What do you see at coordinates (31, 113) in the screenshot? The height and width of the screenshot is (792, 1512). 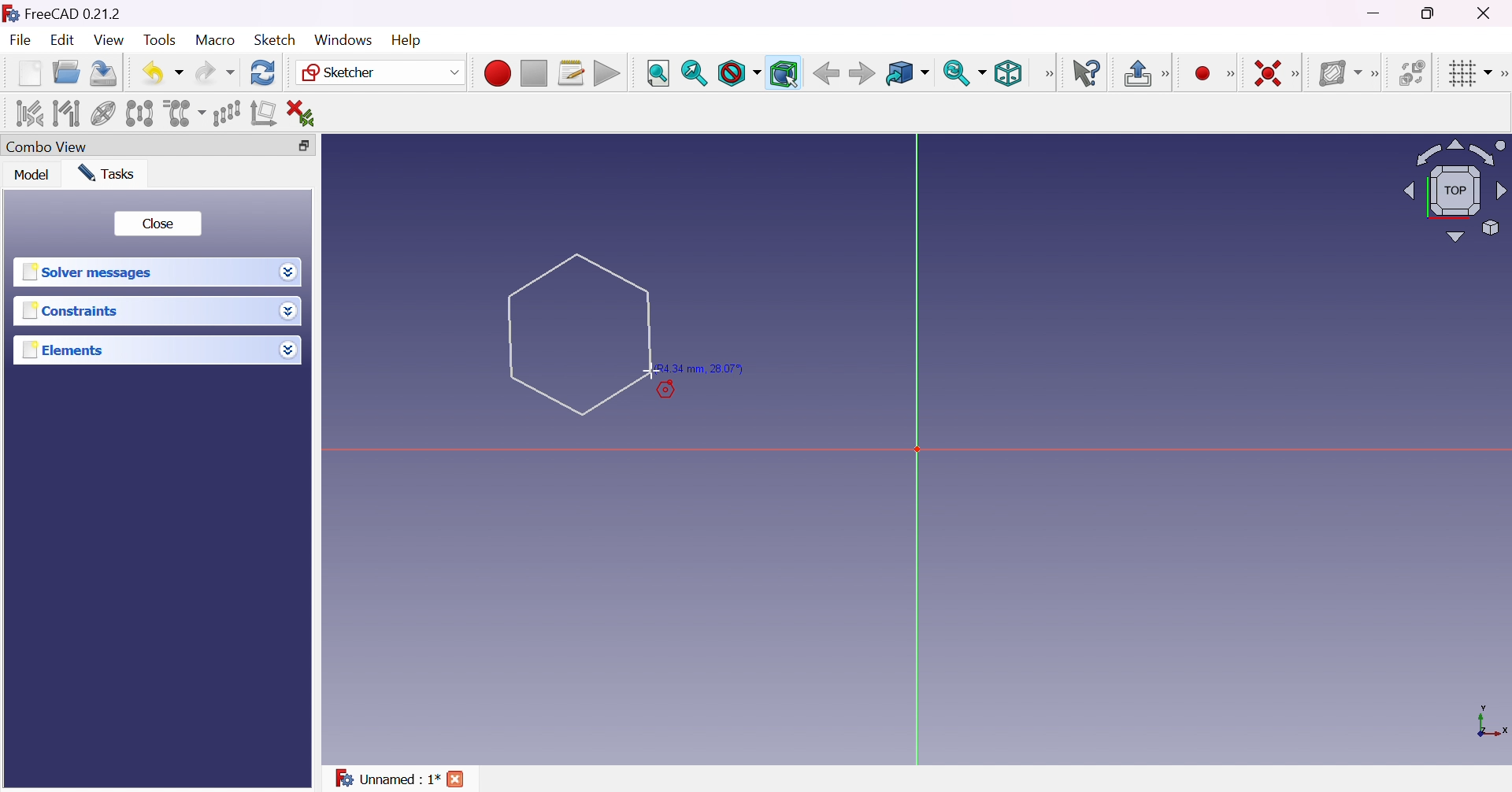 I see `Select associated constraints` at bounding box center [31, 113].